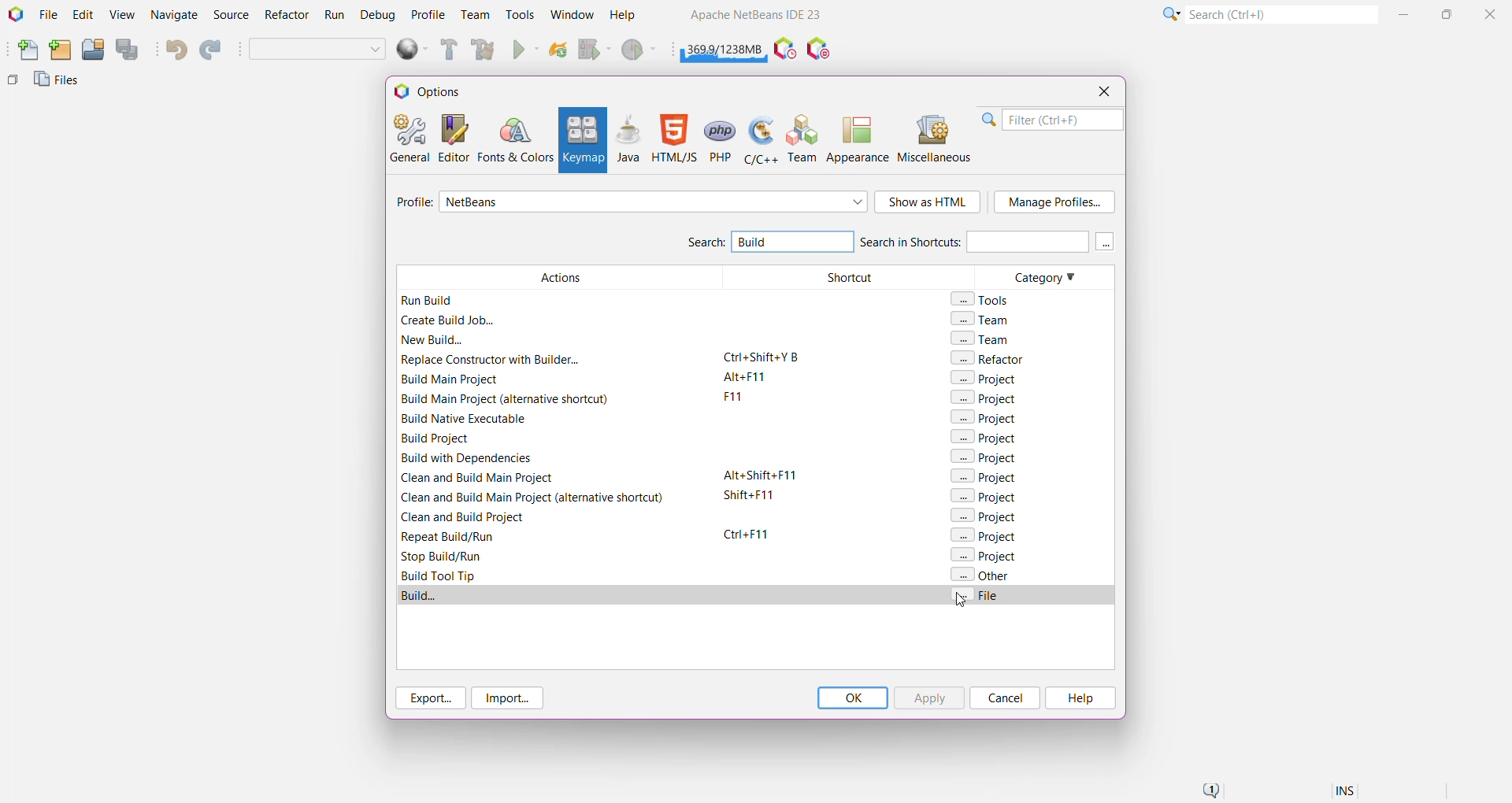 This screenshot has height=803, width=1512. Describe the element at coordinates (572, 14) in the screenshot. I see `Window` at that location.